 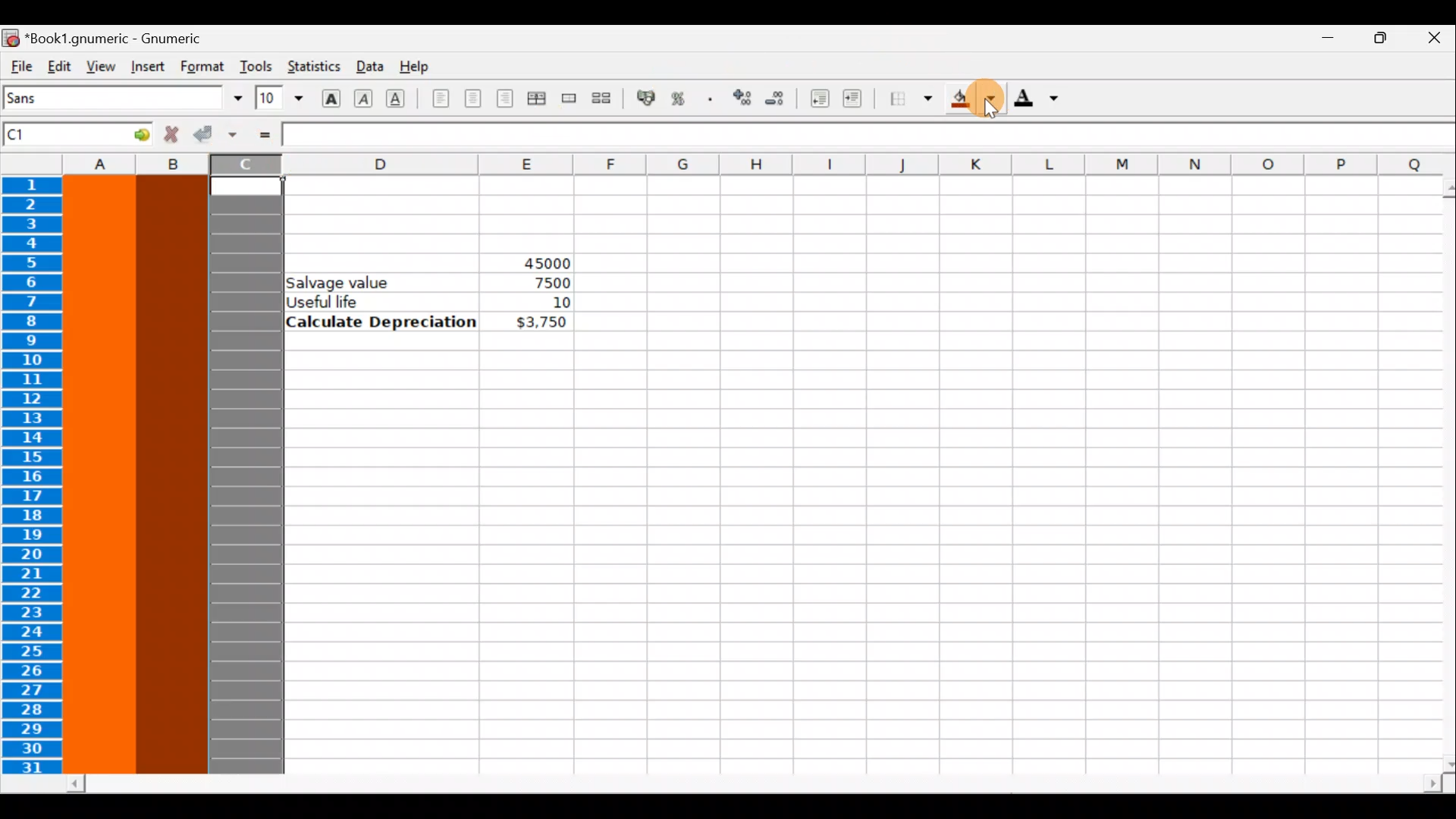 I want to click on Decrease the number of decimals, so click(x=775, y=98).